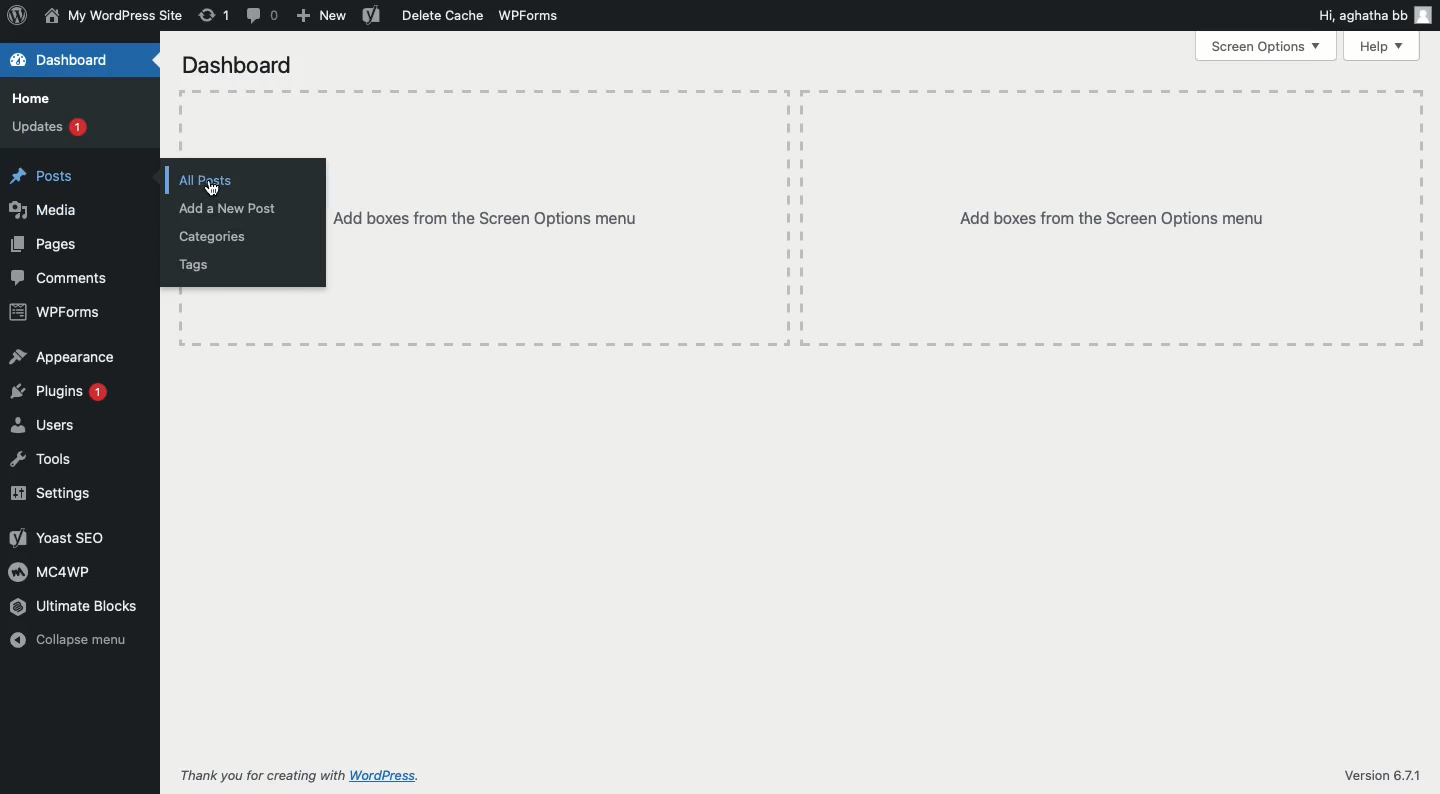  What do you see at coordinates (307, 778) in the screenshot?
I see `Thank you for creating with WordPress.` at bounding box center [307, 778].